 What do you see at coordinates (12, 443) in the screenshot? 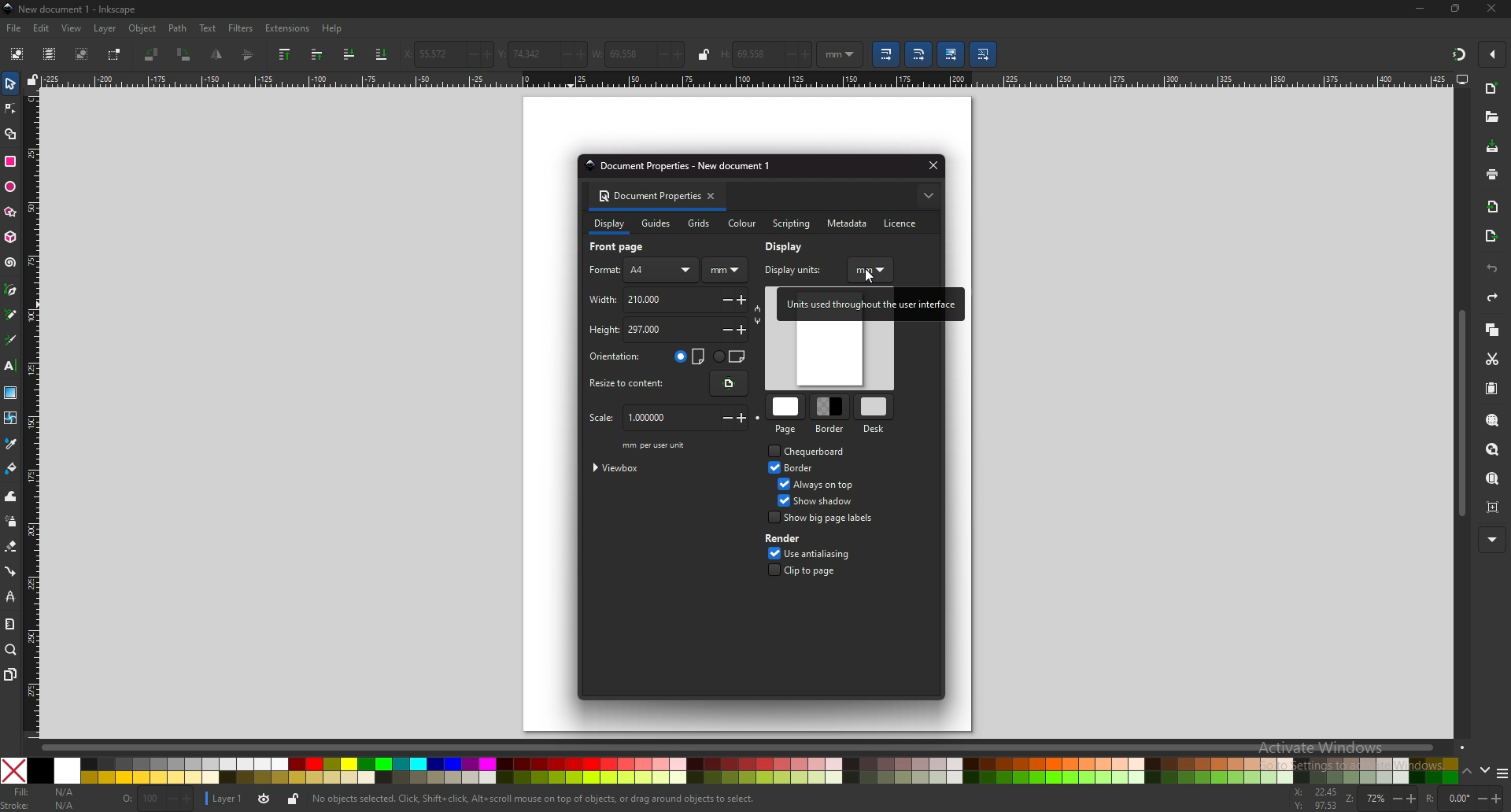
I see `dropper` at bounding box center [12, 443].